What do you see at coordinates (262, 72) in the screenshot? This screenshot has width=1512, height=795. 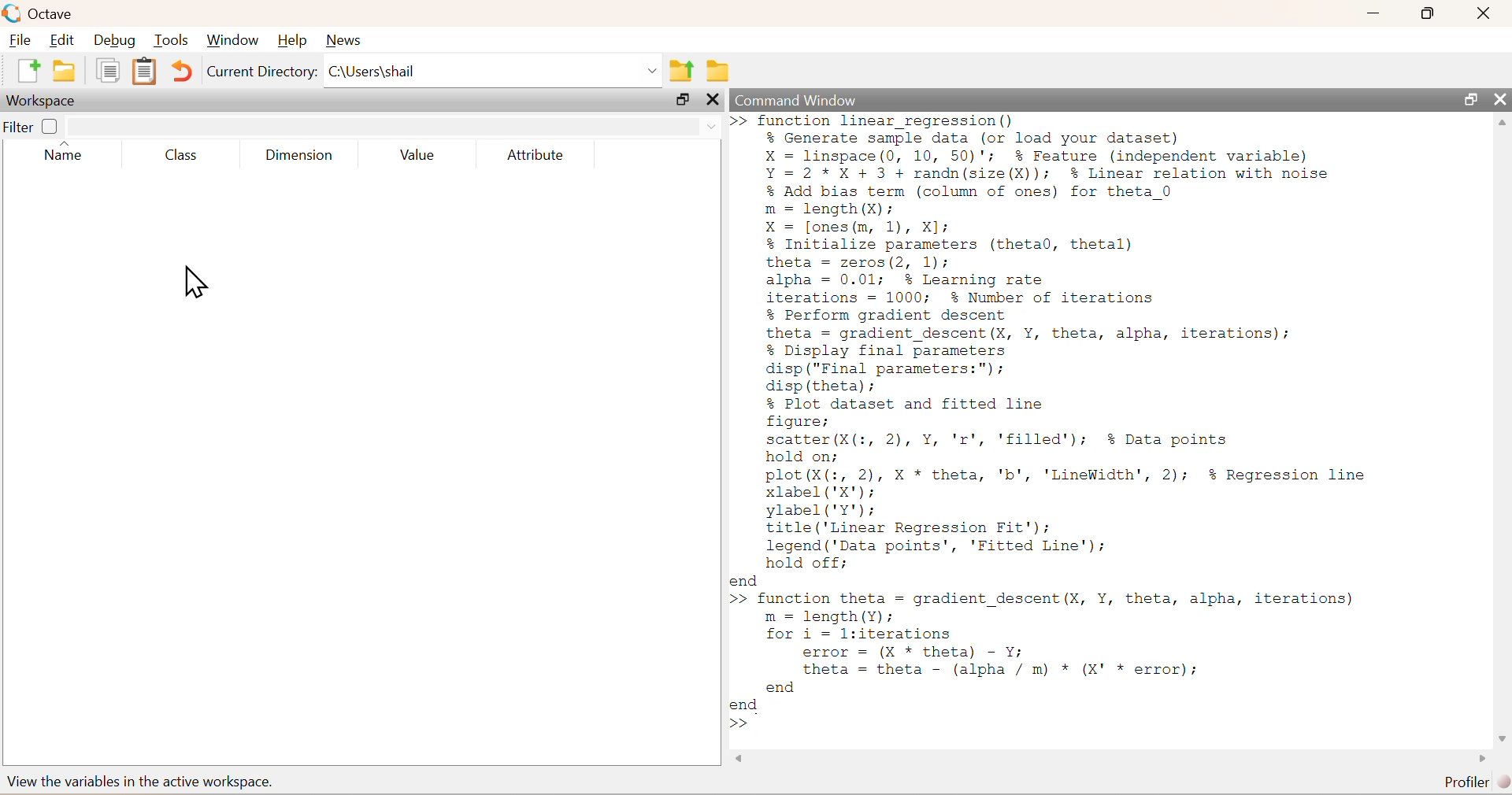 I see `Current Directory` at bounding box center [262, 72].